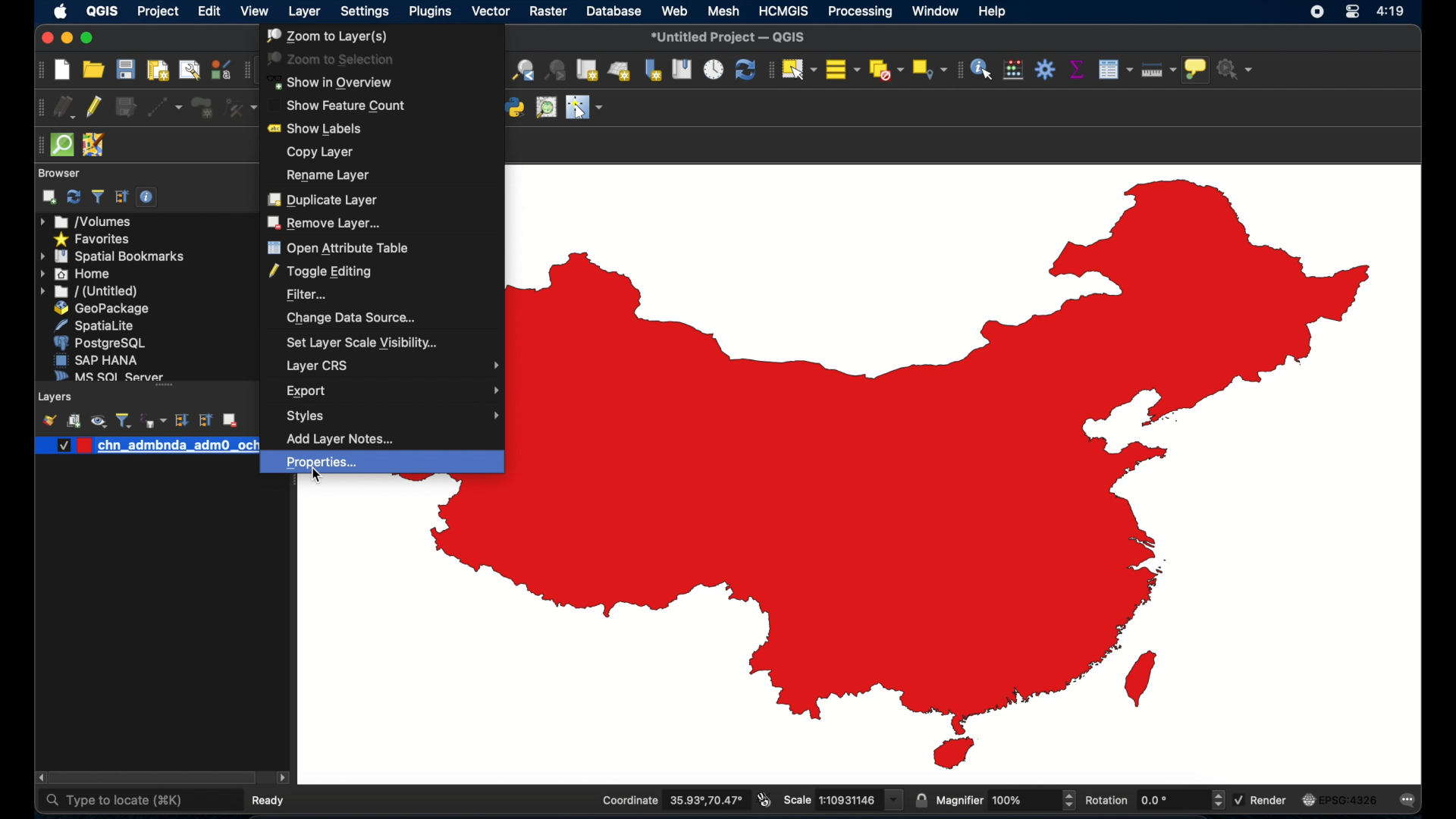 Image resolution: width=1456 pixels, height=819 pixels. I want to click on edit, so click(210, 11).